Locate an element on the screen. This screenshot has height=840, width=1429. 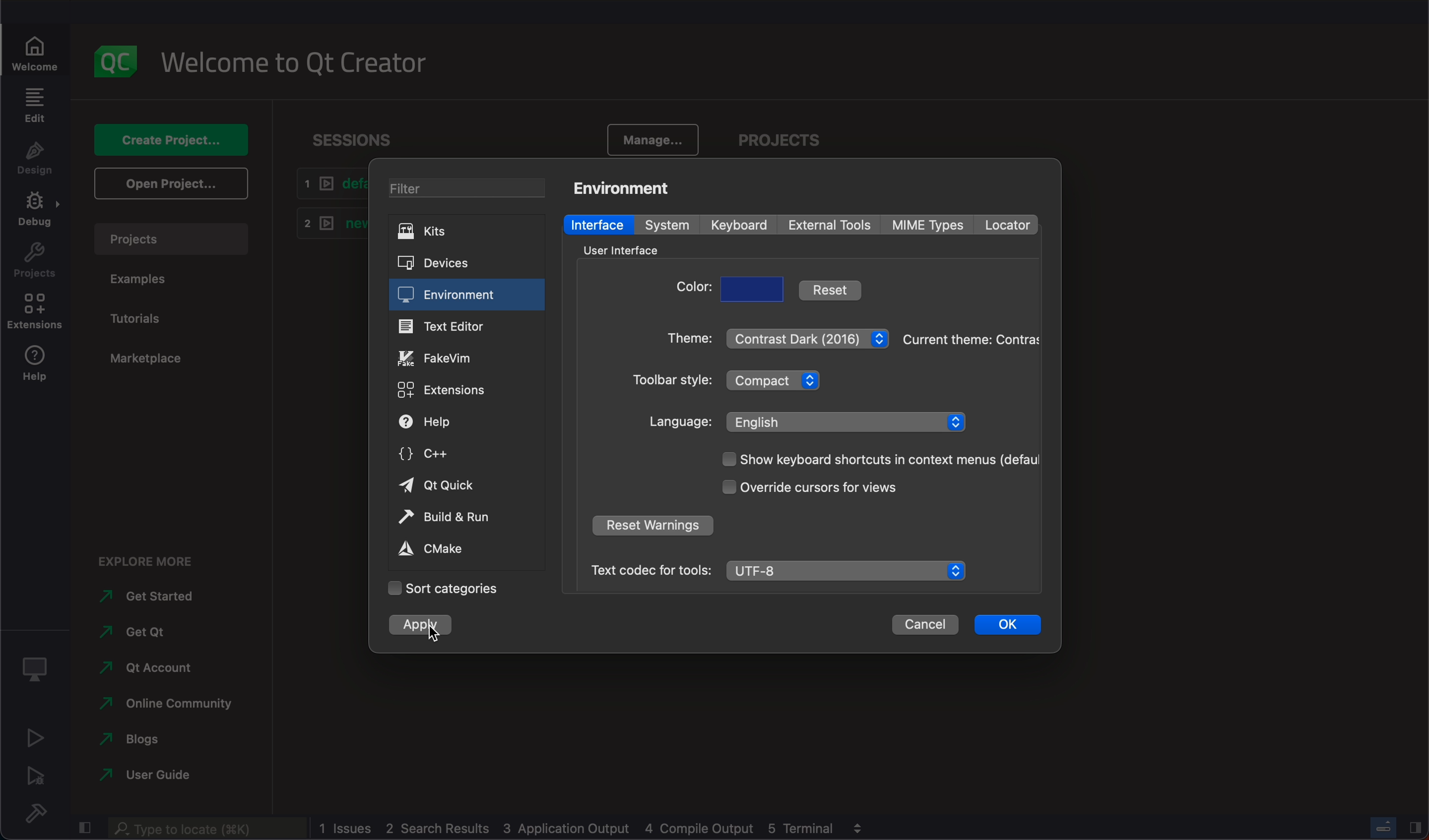
run is located at coordinates (34, 737).